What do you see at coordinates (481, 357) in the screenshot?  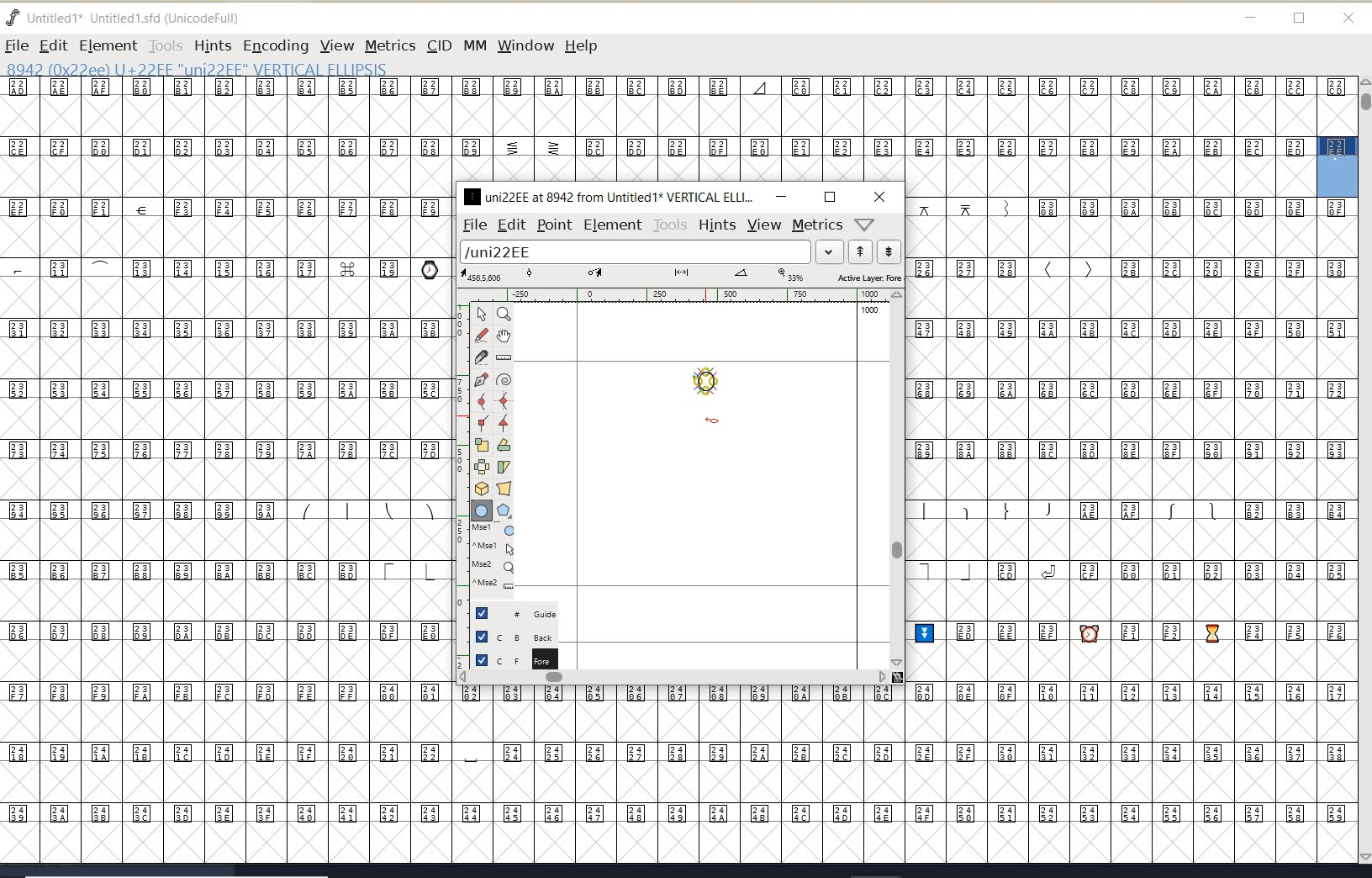 I see `cut splines in two` at bounding box center [481, 357].